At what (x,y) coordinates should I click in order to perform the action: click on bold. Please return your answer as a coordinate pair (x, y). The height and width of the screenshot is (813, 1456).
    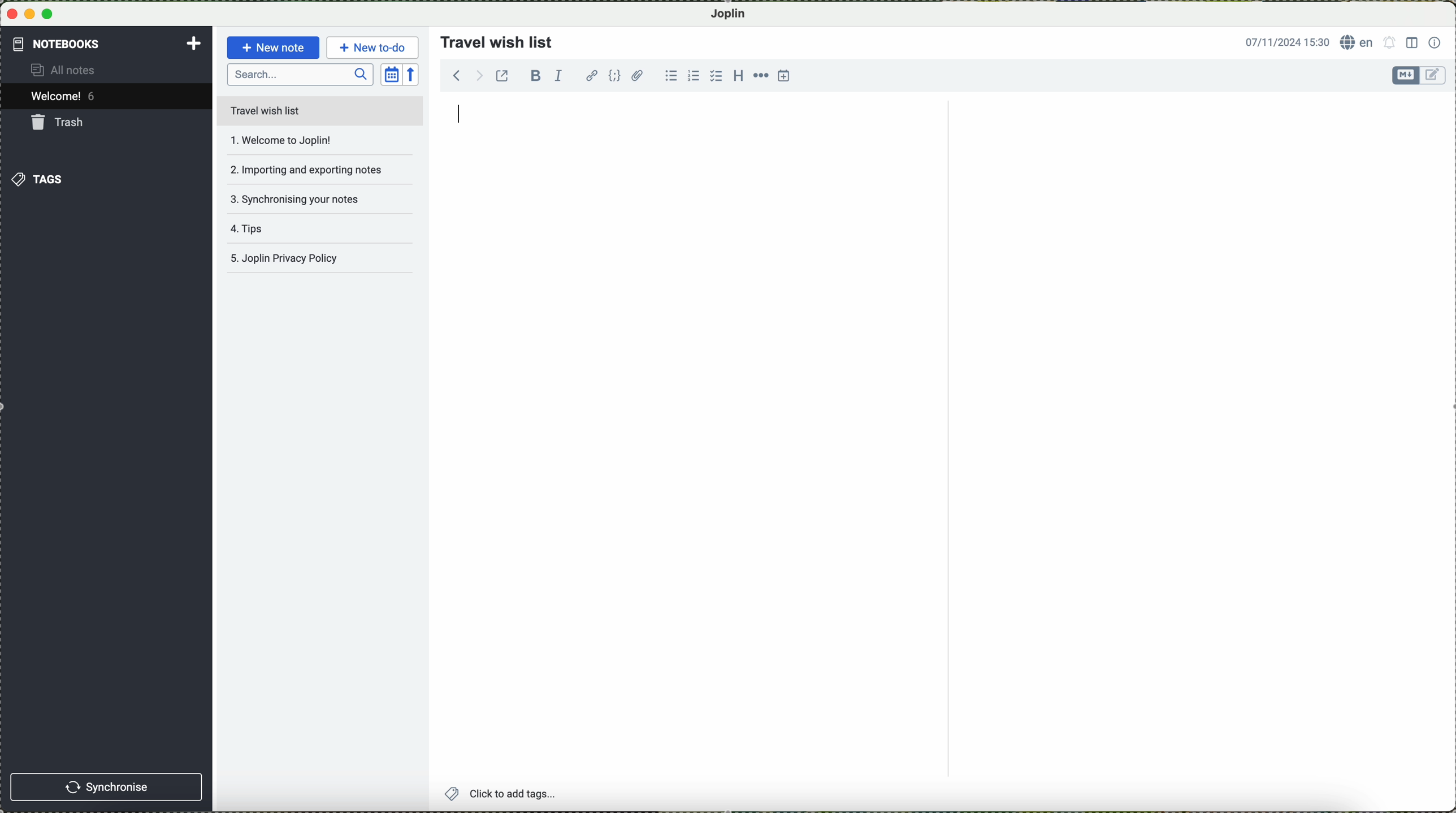
    Looking at the image, I should click on (536, 75).